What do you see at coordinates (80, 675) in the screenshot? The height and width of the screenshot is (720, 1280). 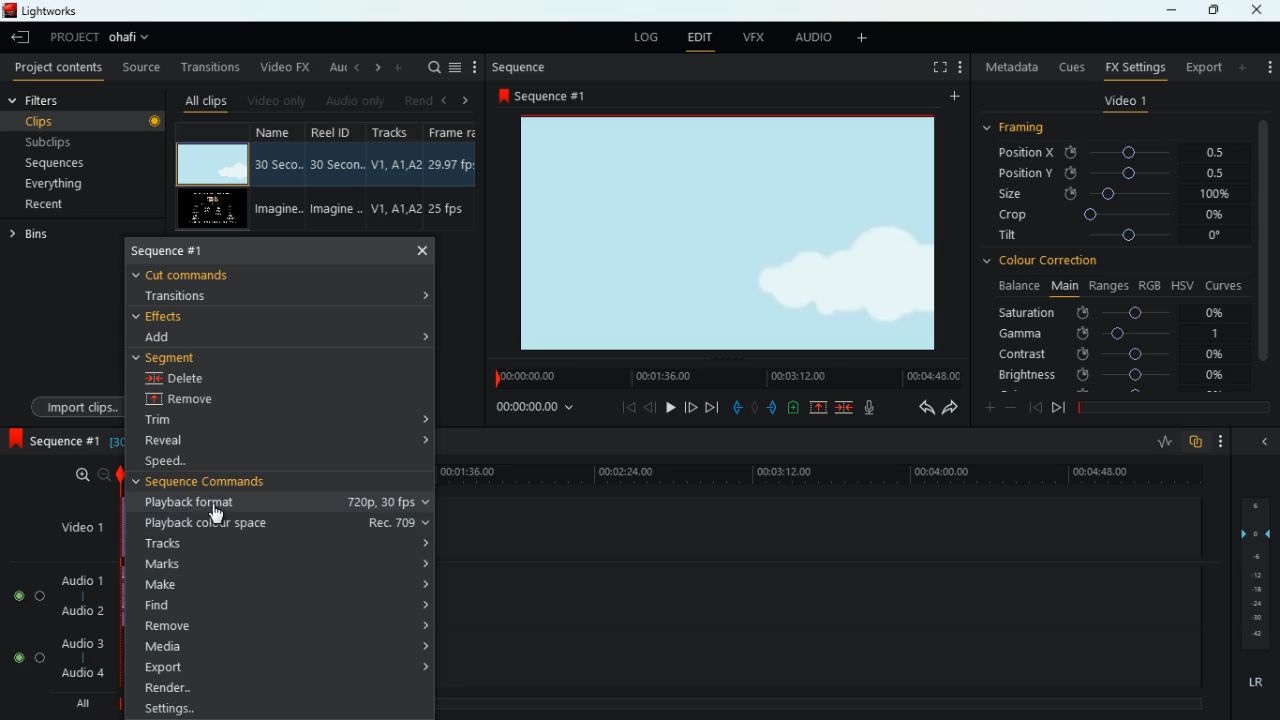 I see `audio 4` at bounding box center [80, 675].